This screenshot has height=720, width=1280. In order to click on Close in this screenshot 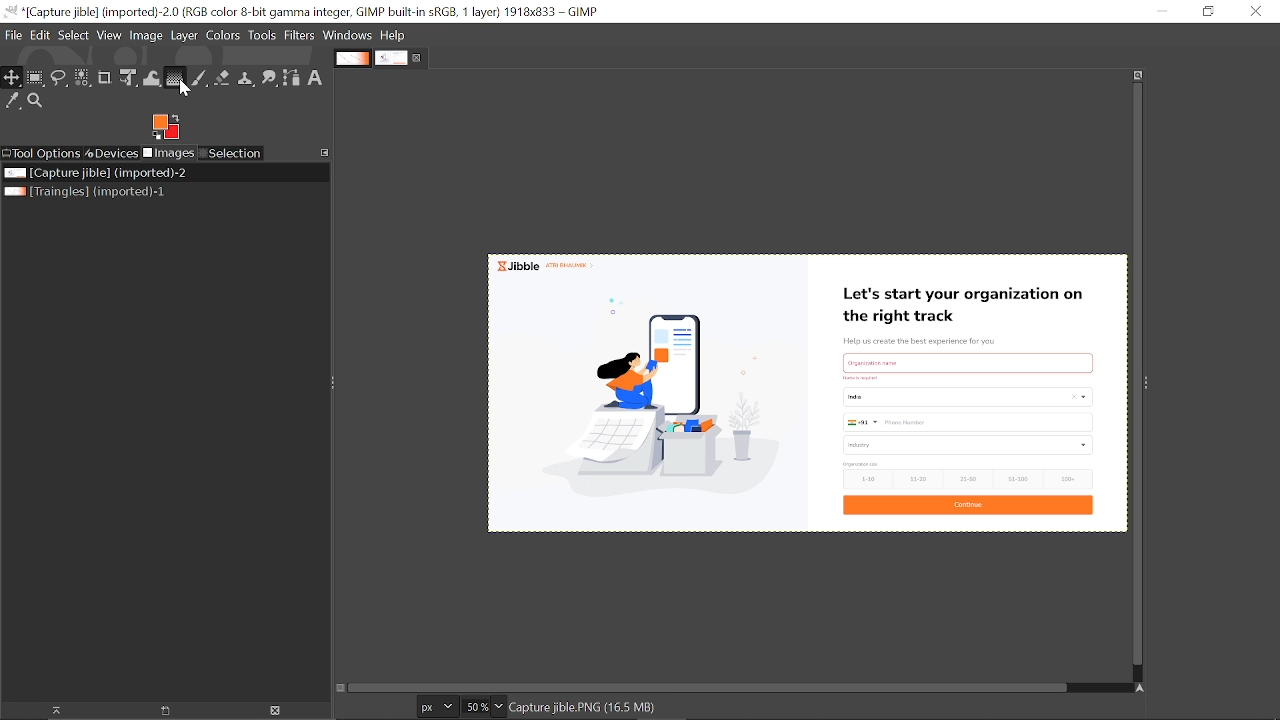, I will do `click(1254, 11)`.